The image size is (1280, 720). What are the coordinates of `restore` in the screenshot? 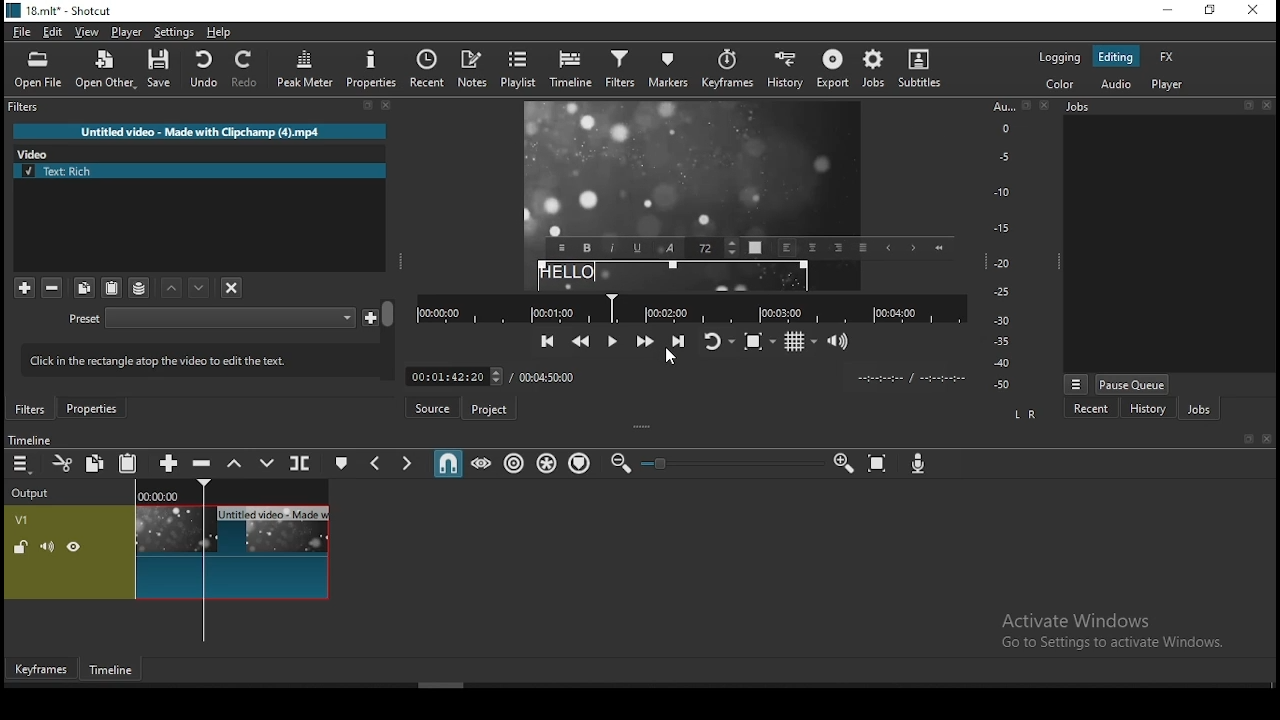 It's located at (1212, 9).